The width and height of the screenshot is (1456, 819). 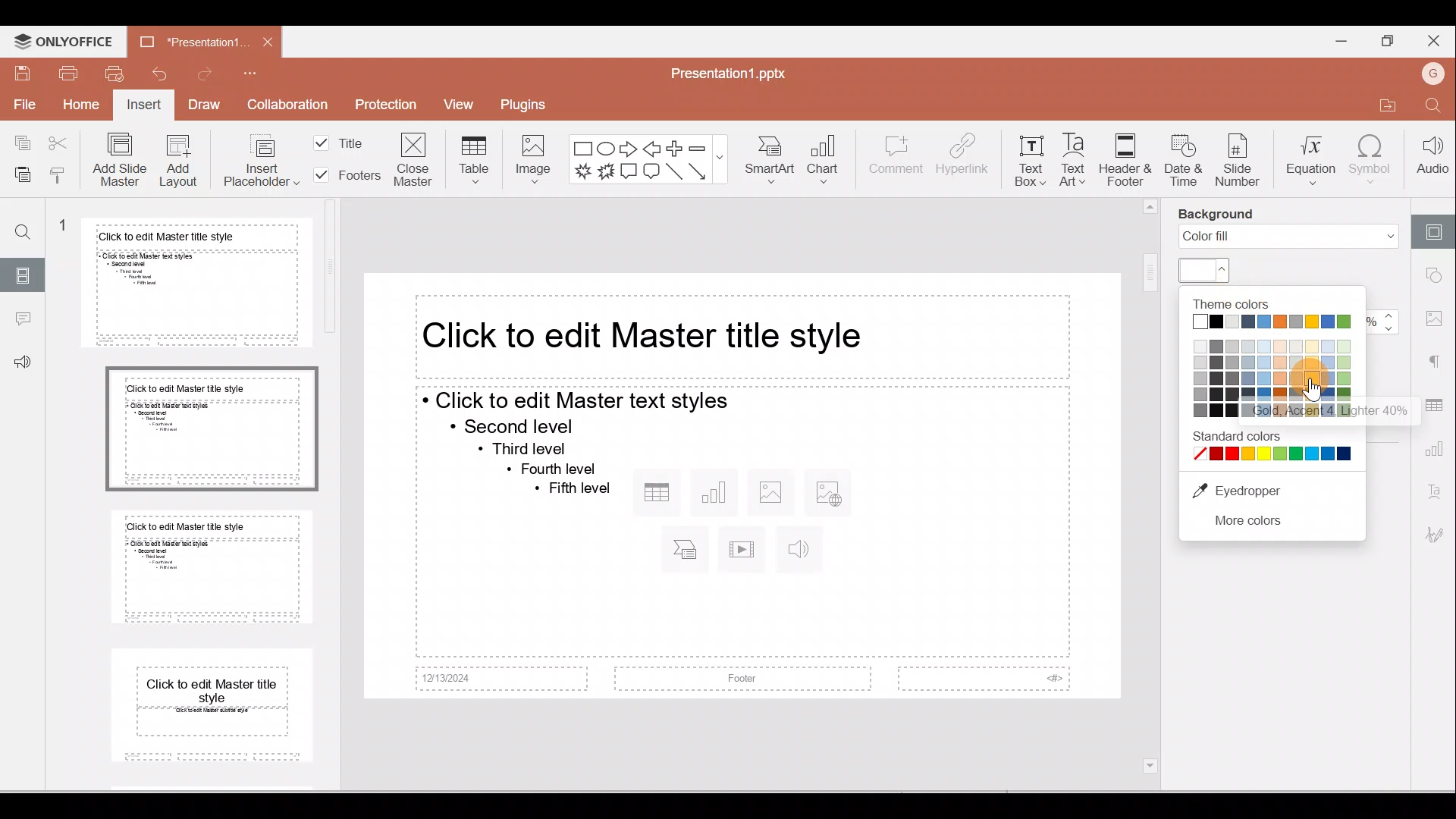 What do you see at coordinates (158, 72) in the screenshot?
I see `Undo` at bounding box center [158, 72].